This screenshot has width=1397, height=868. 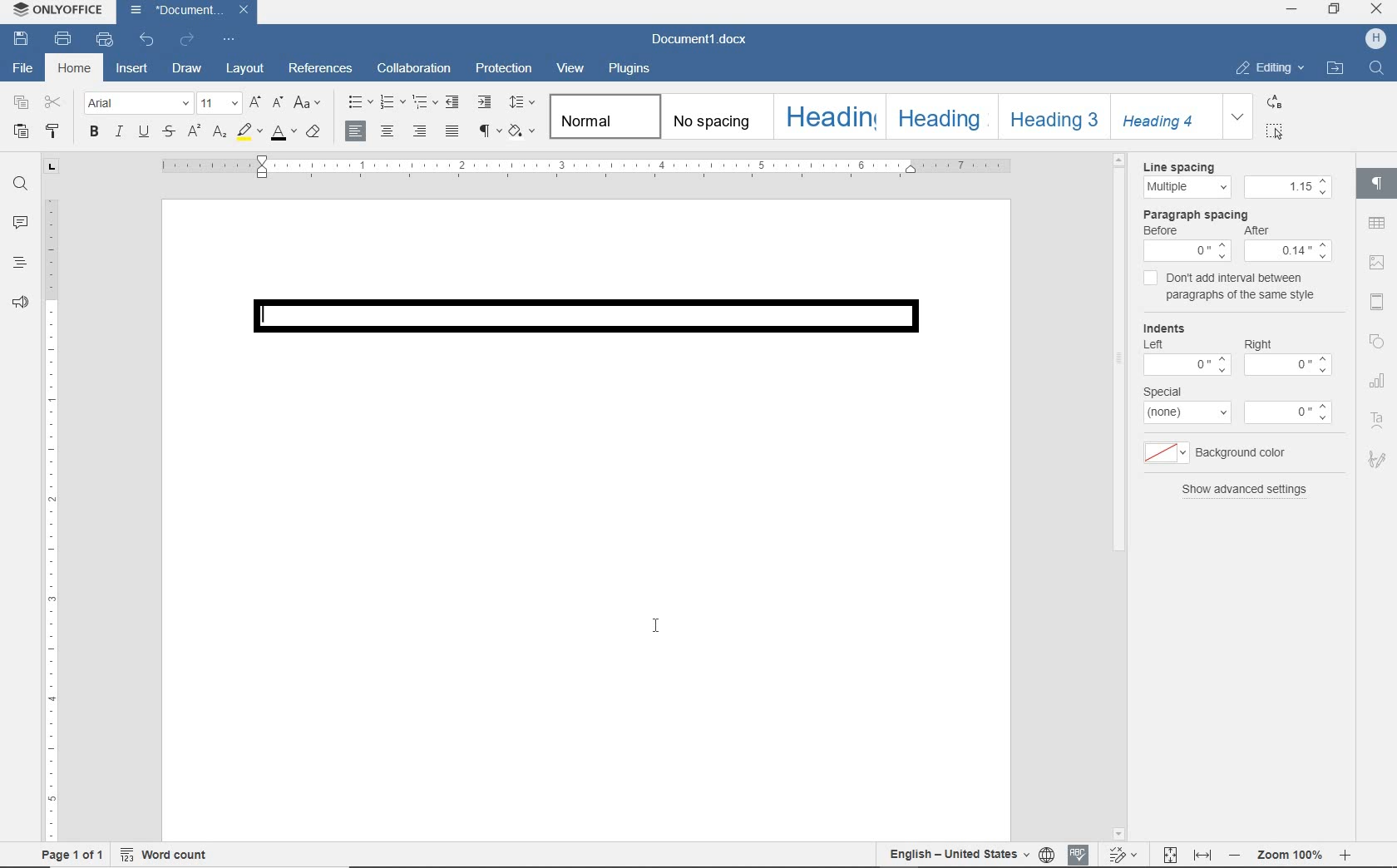 What do you see at coordinates (63, 40) in the screenshot?
I see `print file` at bounding box center [63, 40].